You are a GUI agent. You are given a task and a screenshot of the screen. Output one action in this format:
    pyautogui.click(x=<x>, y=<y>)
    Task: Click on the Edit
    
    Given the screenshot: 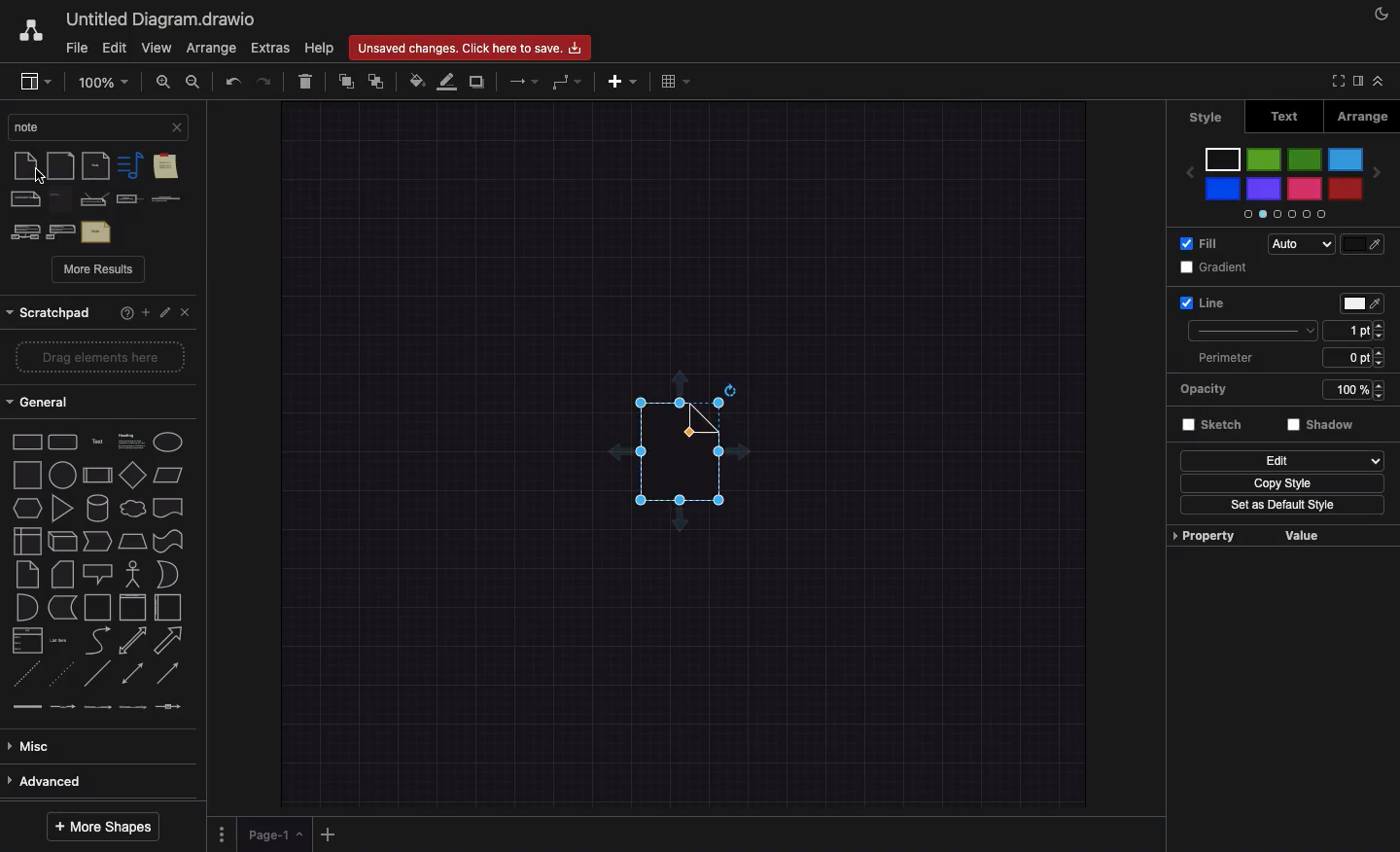 What is the action you would take?
    pyautogui.click(x=117, y=47)
    